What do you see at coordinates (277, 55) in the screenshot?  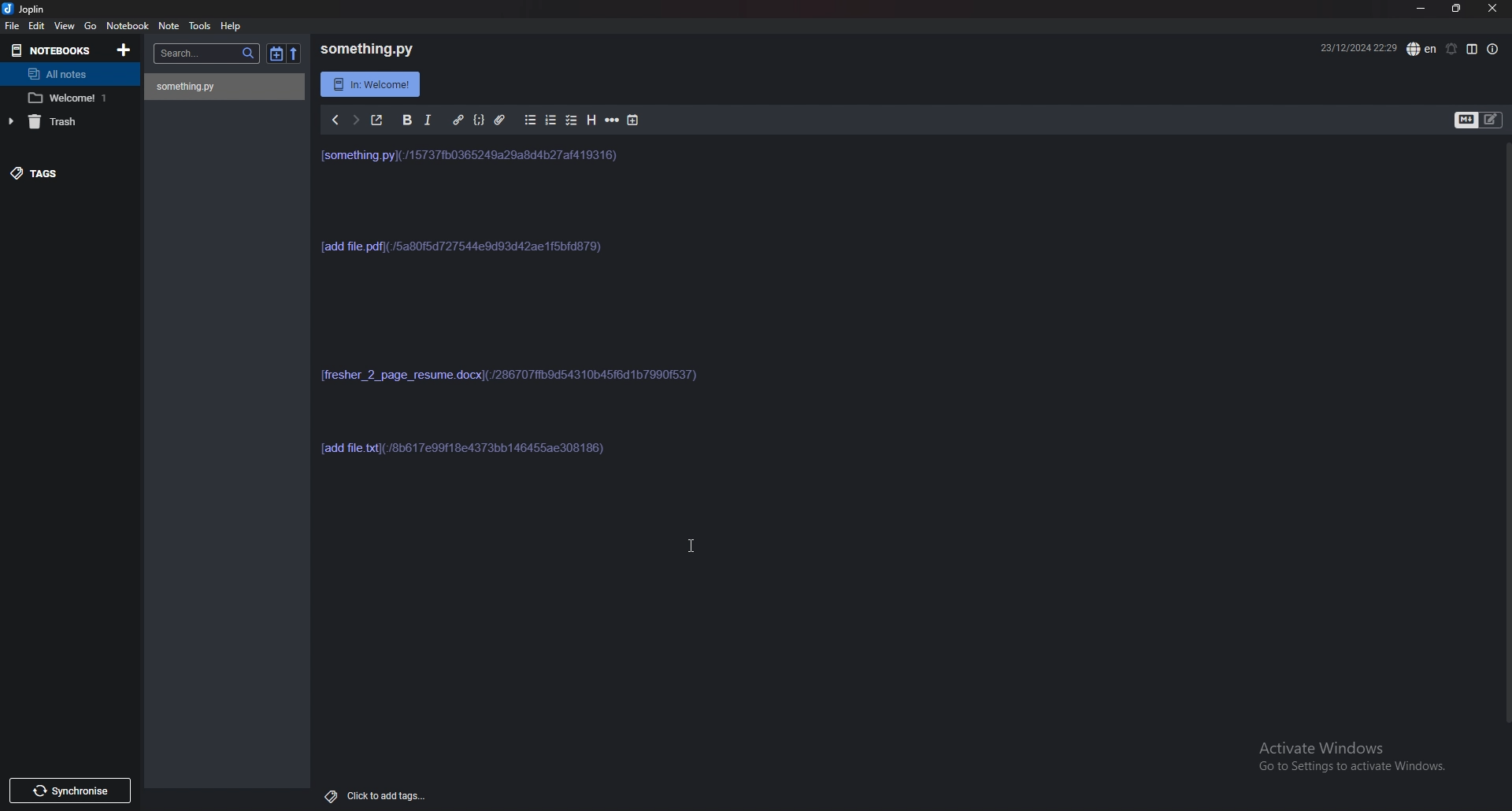 I see `Toggle sort order` at bounding box center [277, 55].